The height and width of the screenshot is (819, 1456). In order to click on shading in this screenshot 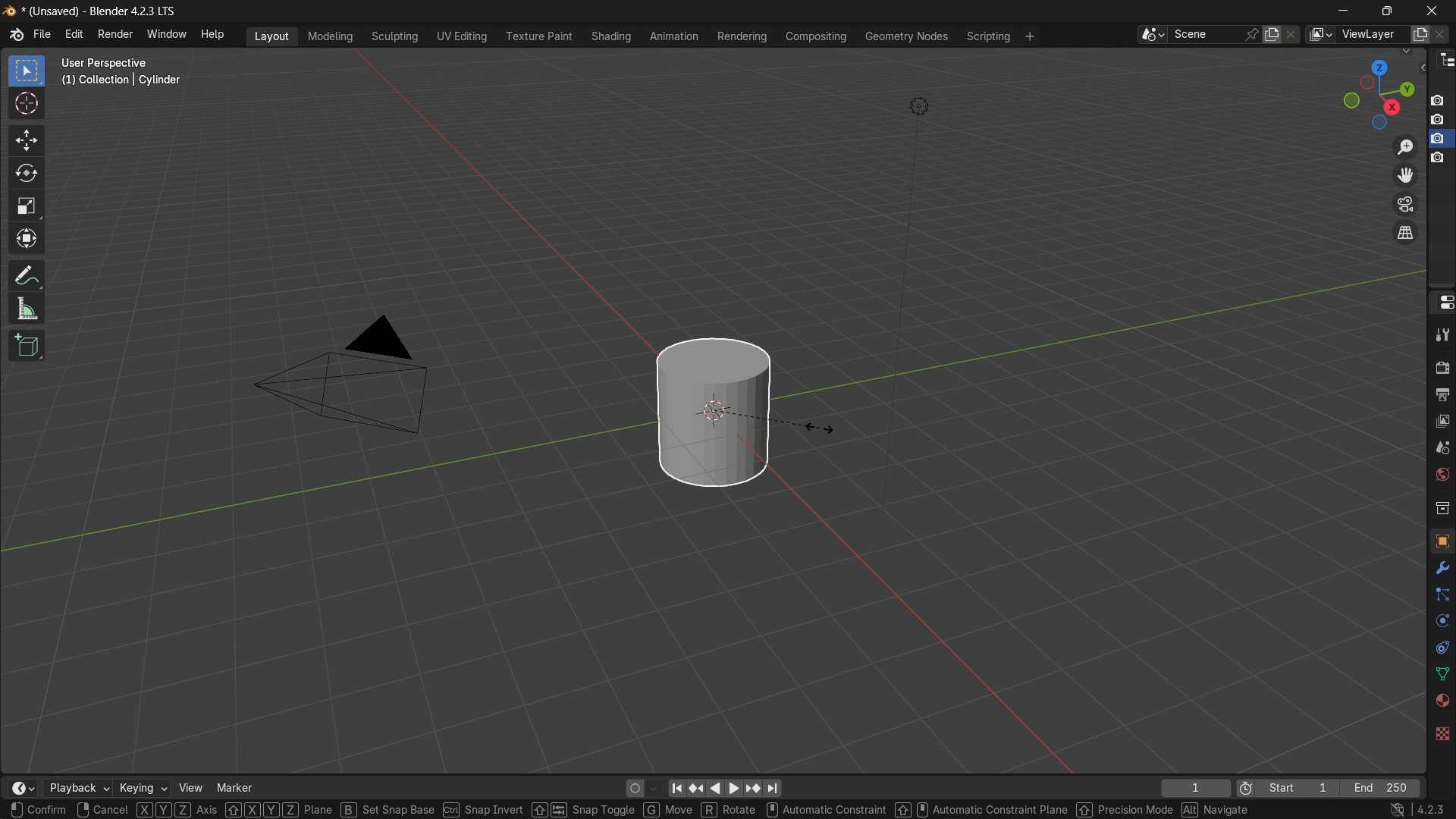, I will do `click(609, 36)`.